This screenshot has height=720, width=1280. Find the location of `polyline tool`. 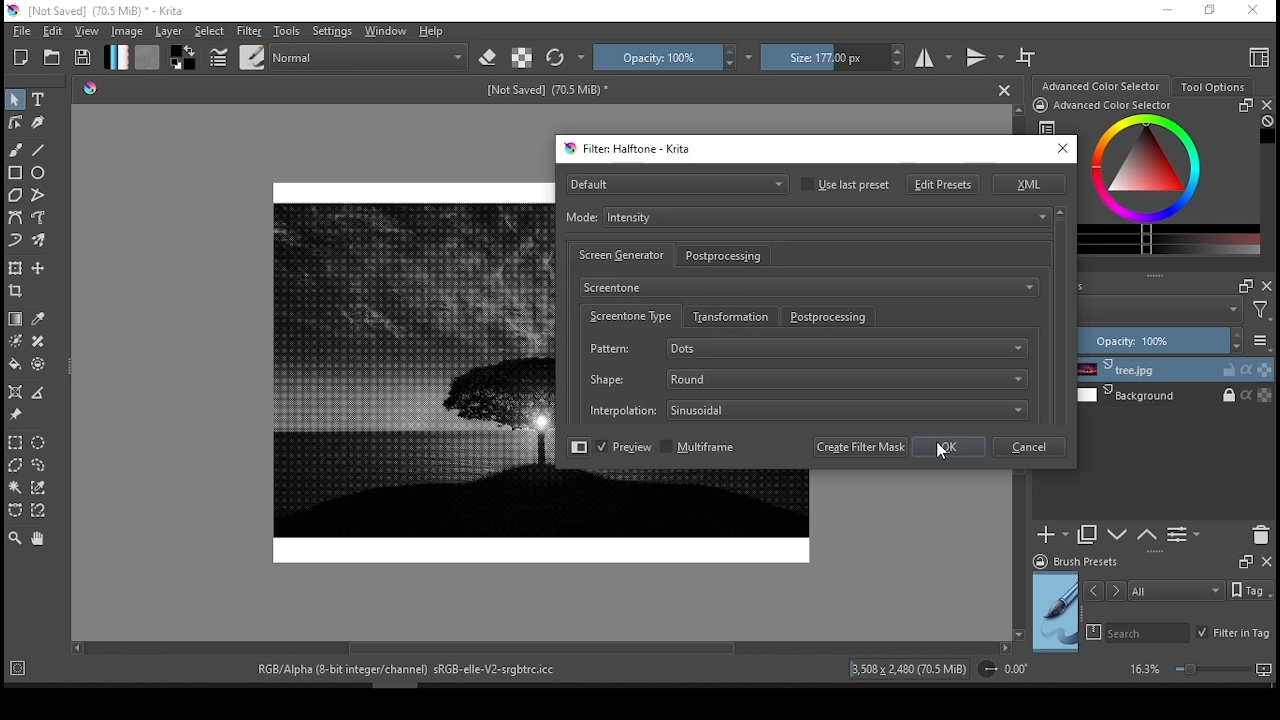

polyline tool is located at coordinates (39, 196).